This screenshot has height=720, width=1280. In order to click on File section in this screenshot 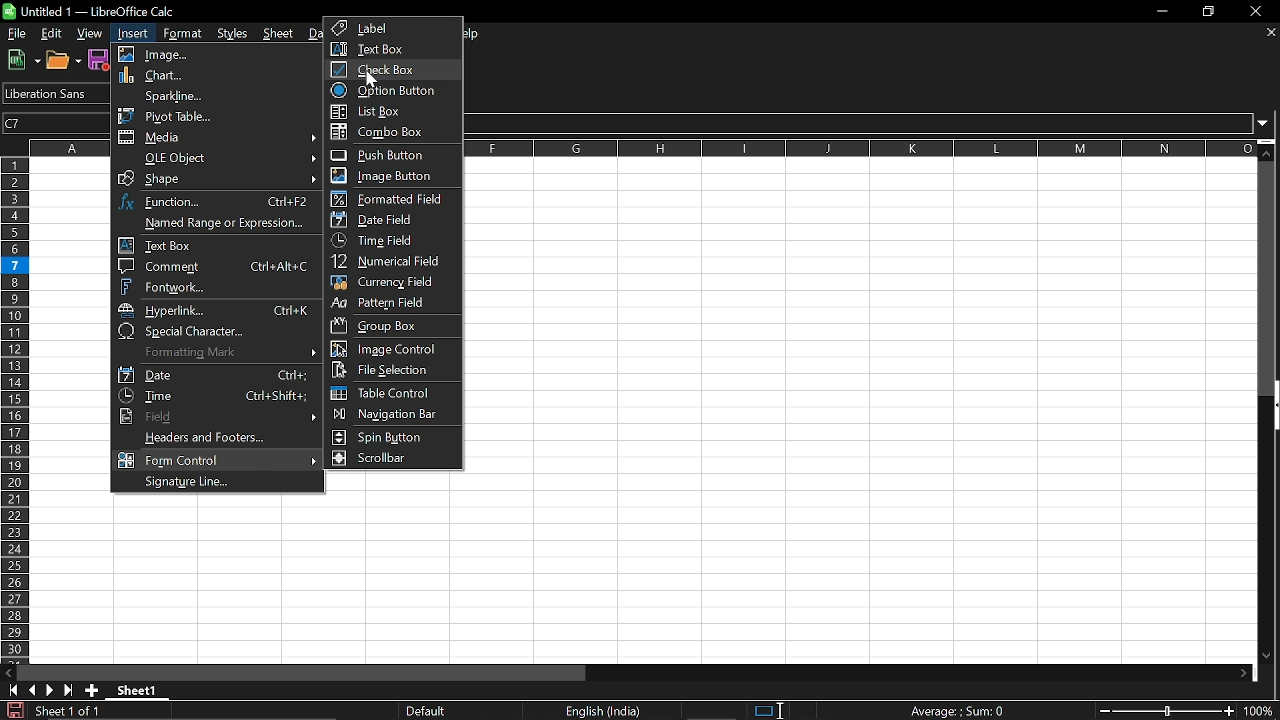, I will do `click(390, 370)`.